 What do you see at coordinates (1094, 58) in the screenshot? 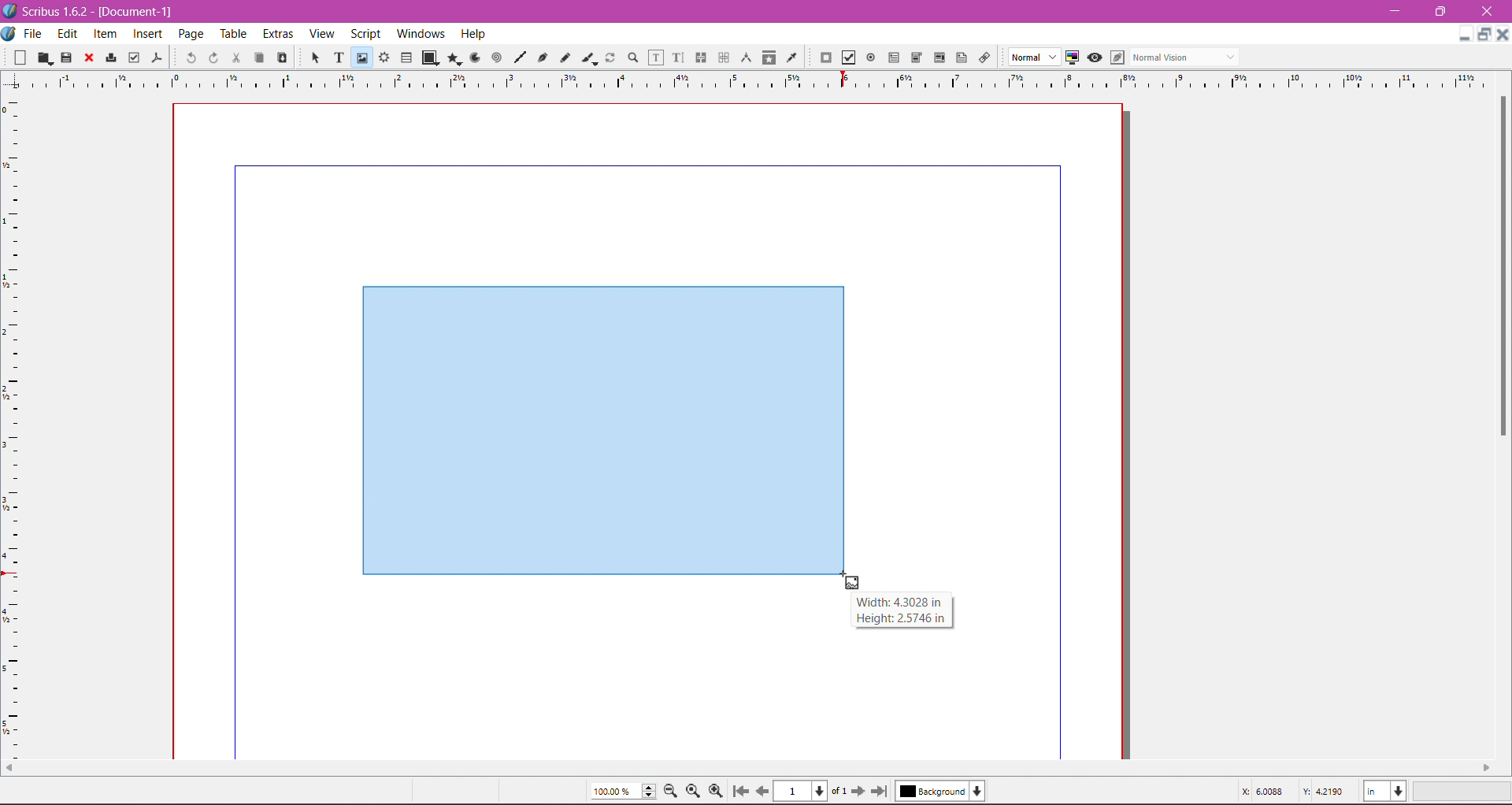
I see `Preview Mode` at bounding box center [1094, 58].